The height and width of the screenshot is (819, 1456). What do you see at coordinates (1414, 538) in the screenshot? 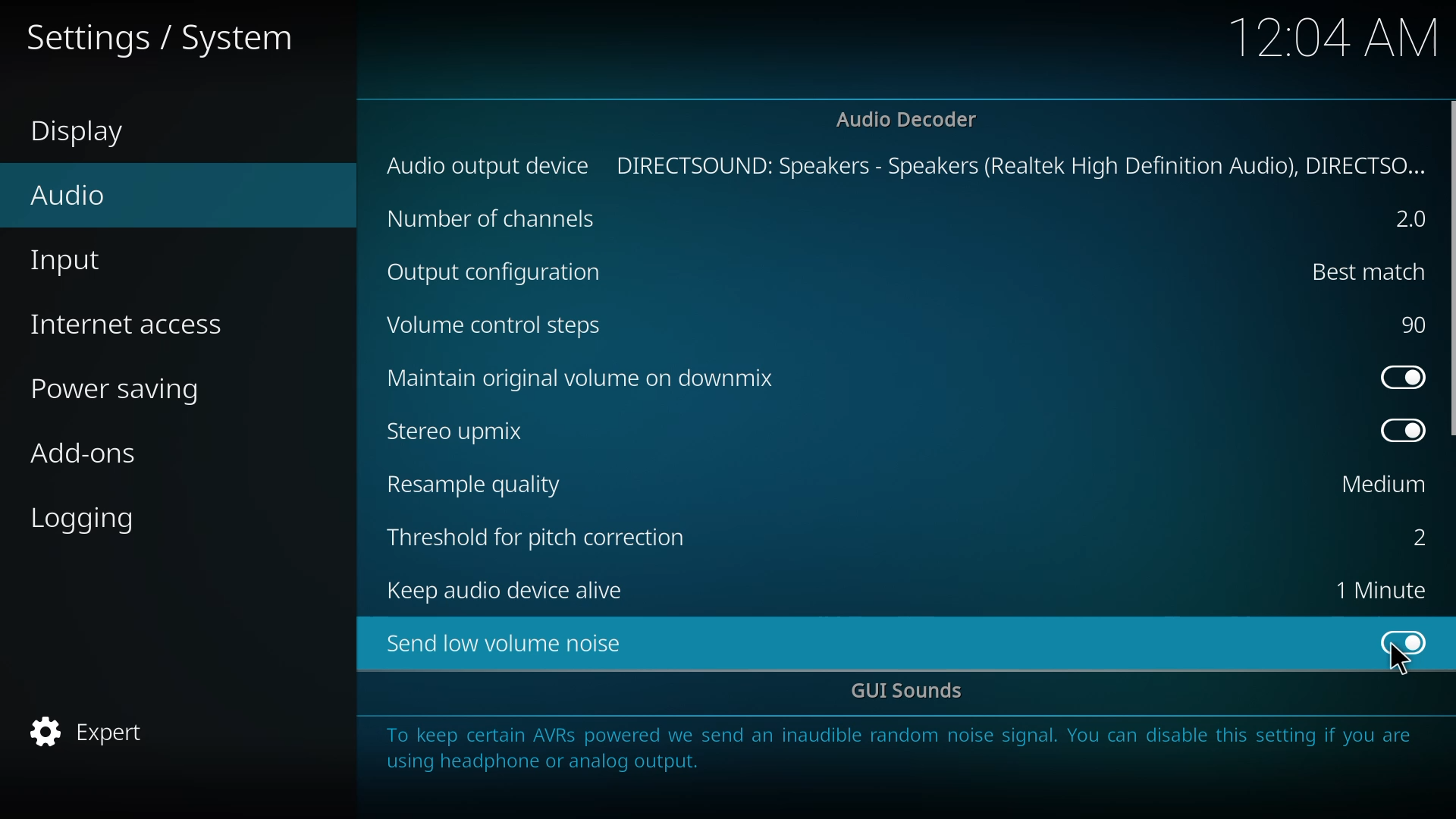
I see `2` at bounding box center [1414, 538].